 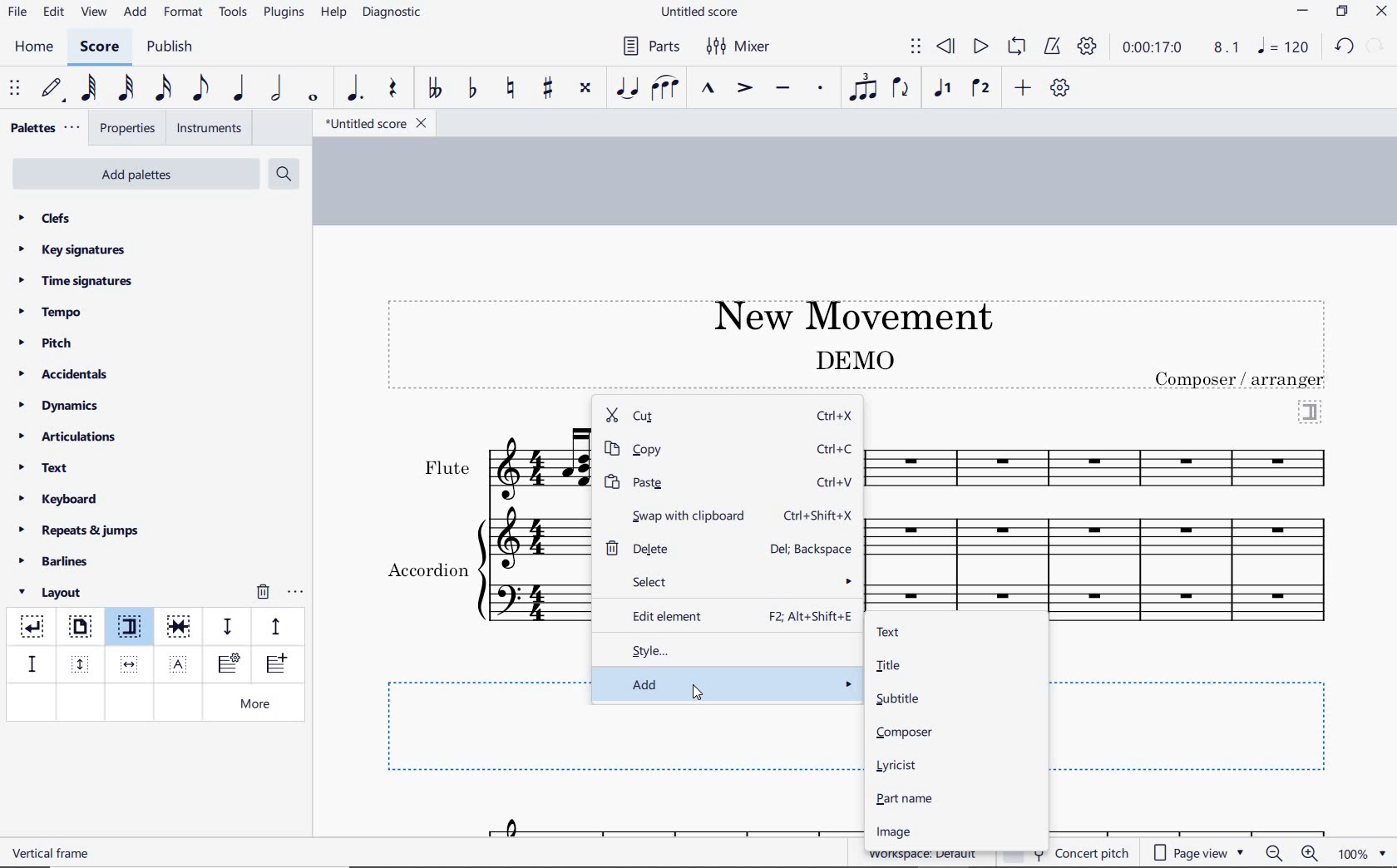 What do you see at coordinates (200, 91) in the screenshot?
I see `eighth note` at bounding box center [200, 91].